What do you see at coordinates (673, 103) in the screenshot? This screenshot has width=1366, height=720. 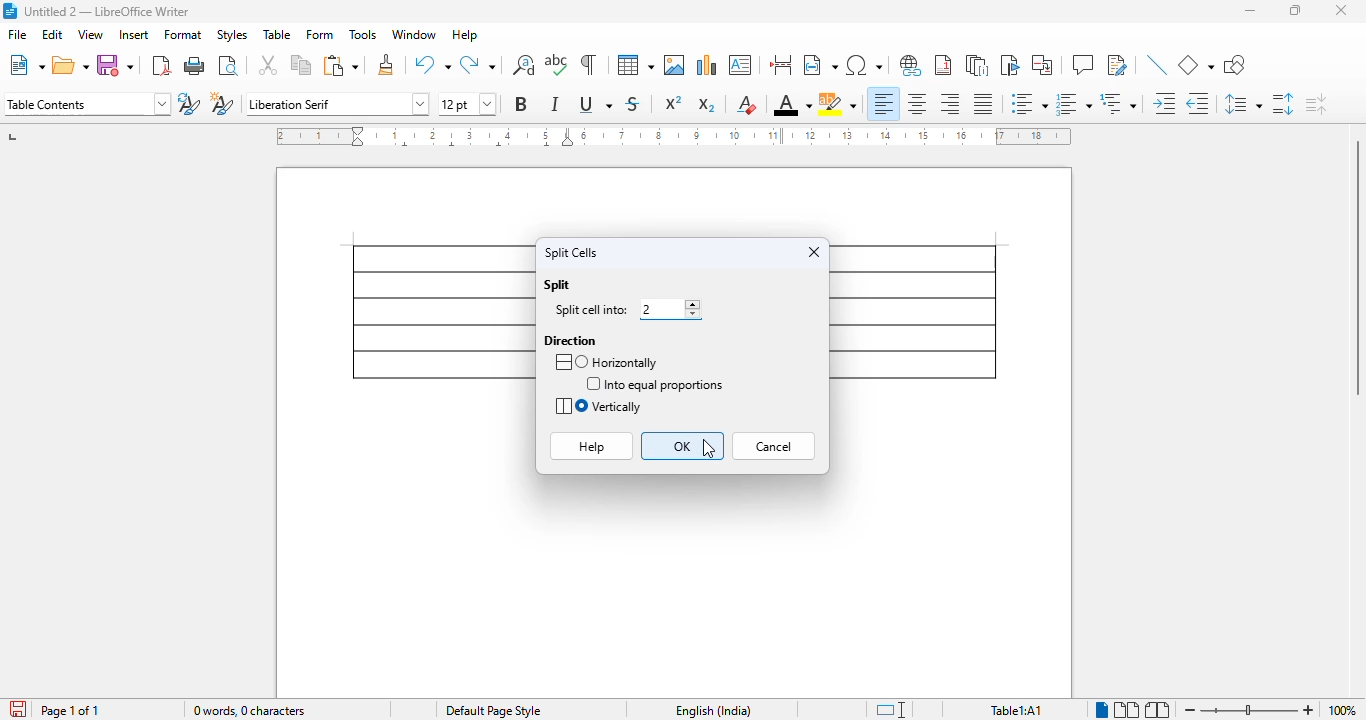 I see `superscript` at bounding box center [673, 103].